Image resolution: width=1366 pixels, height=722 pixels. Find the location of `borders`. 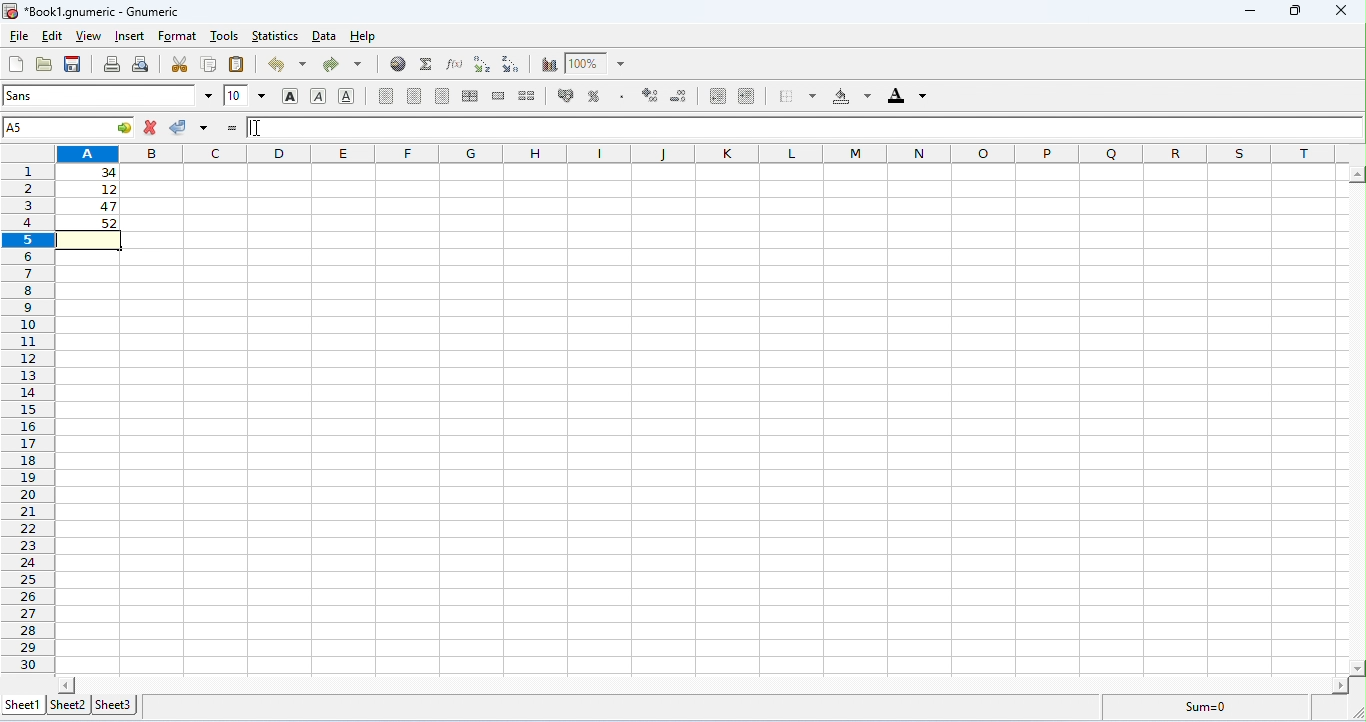

borders is located at coordinates (797, 95).